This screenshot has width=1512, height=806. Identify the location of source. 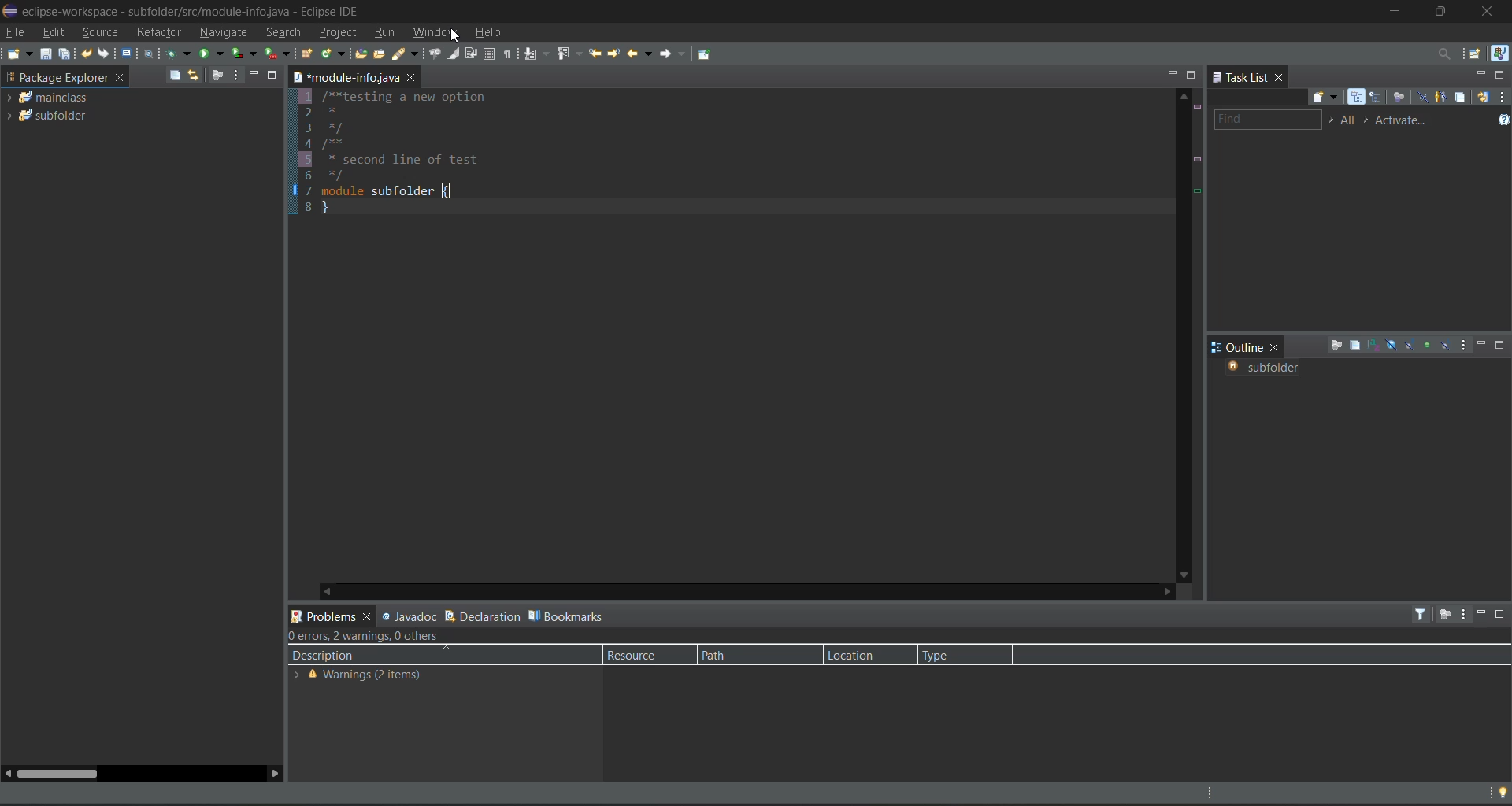
(102, 33).